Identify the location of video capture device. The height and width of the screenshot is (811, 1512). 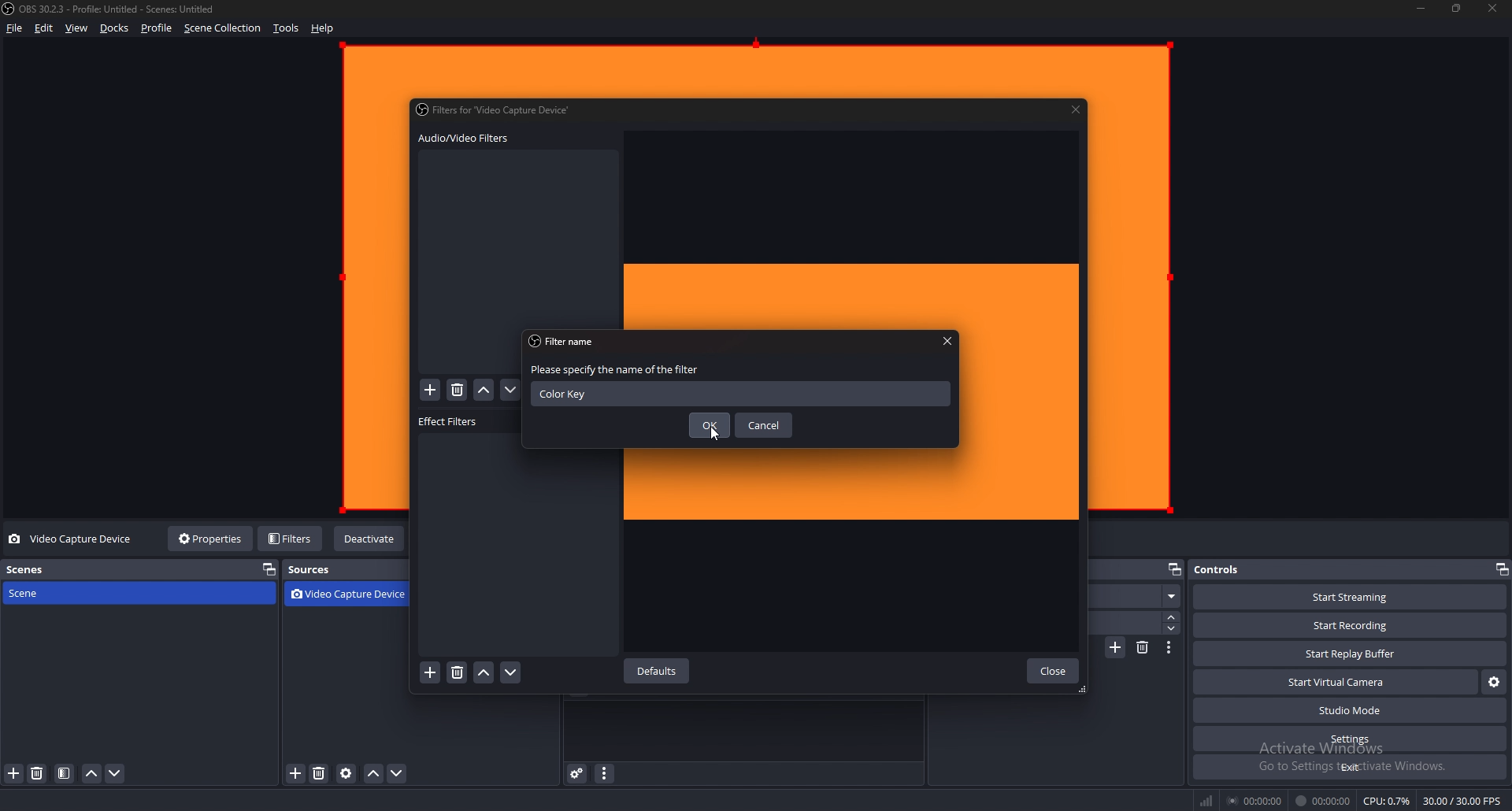
(72, 539).